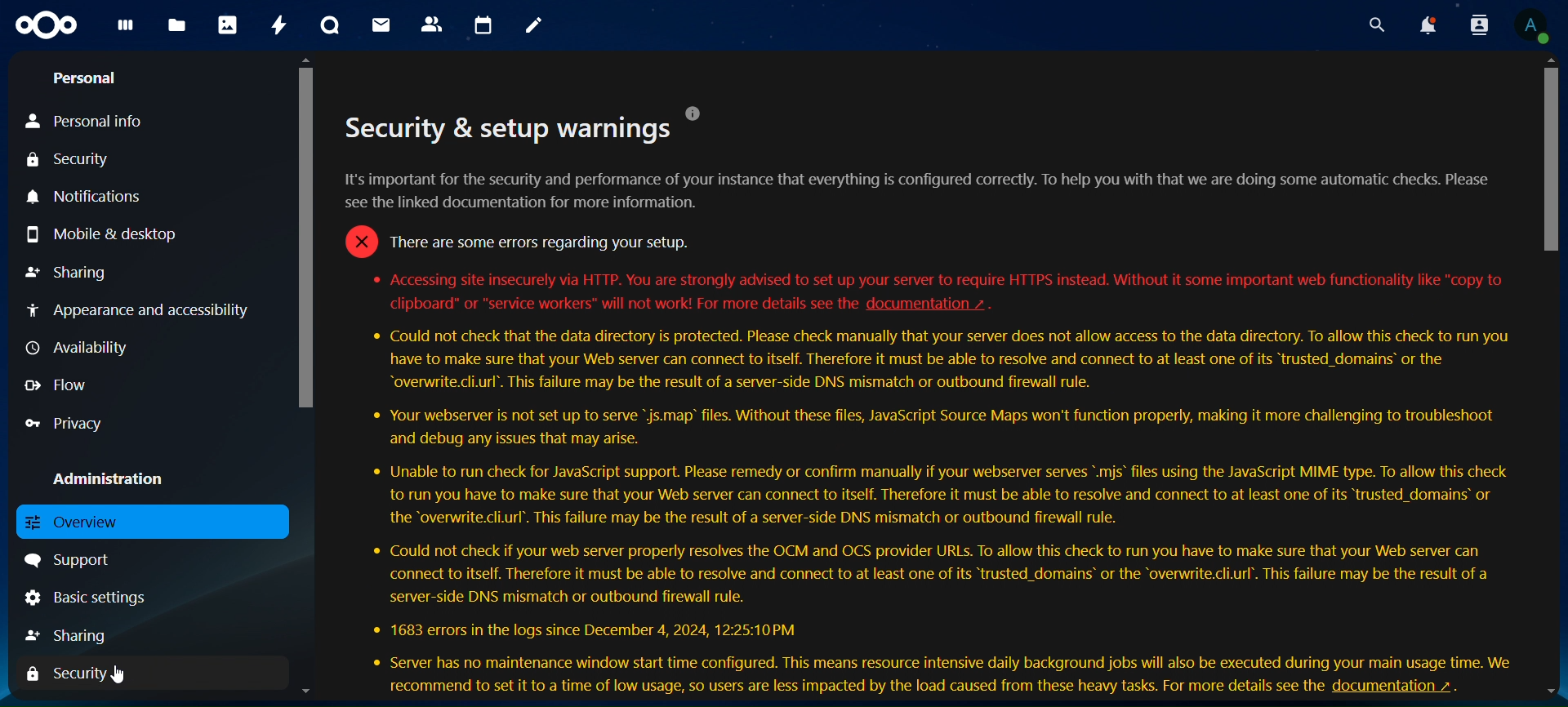 This screenshot has width=1568, height=707. What do you see at coordinates (1427, 26) in the screenshot?
I see `notification` at bounding box center [1427, 26].